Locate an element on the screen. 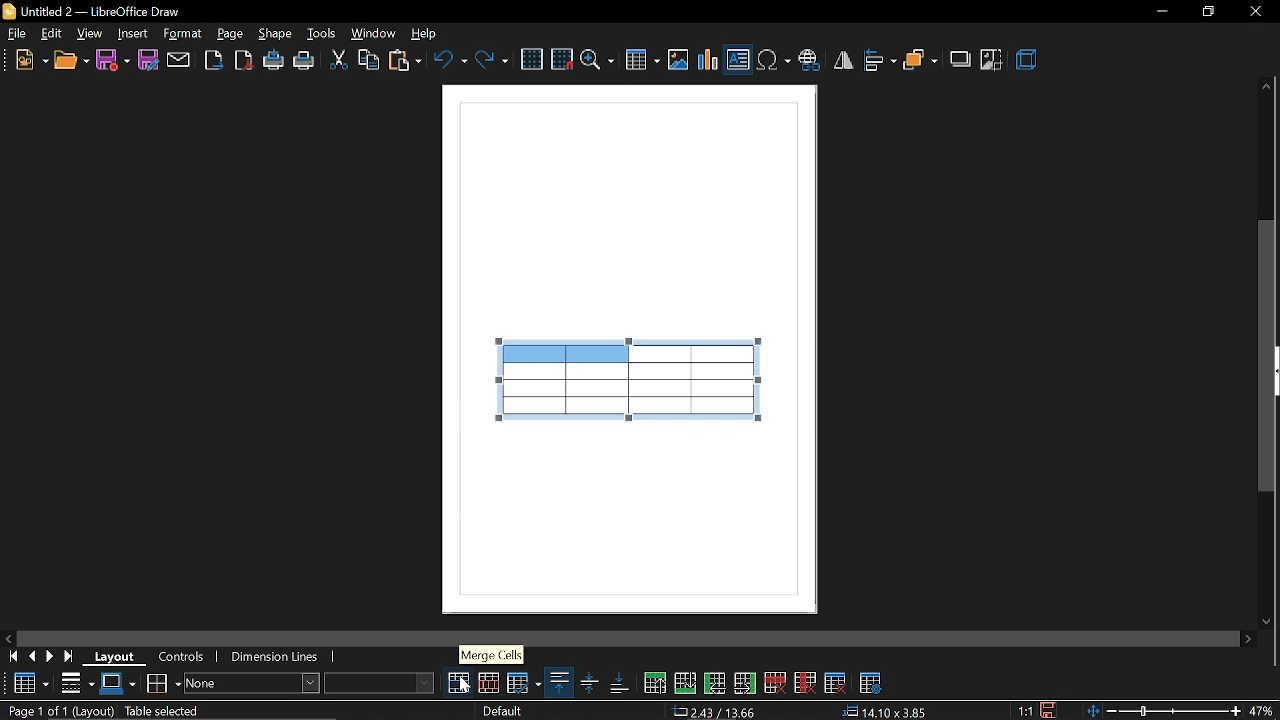  borders is located at coordinates (163, 682).